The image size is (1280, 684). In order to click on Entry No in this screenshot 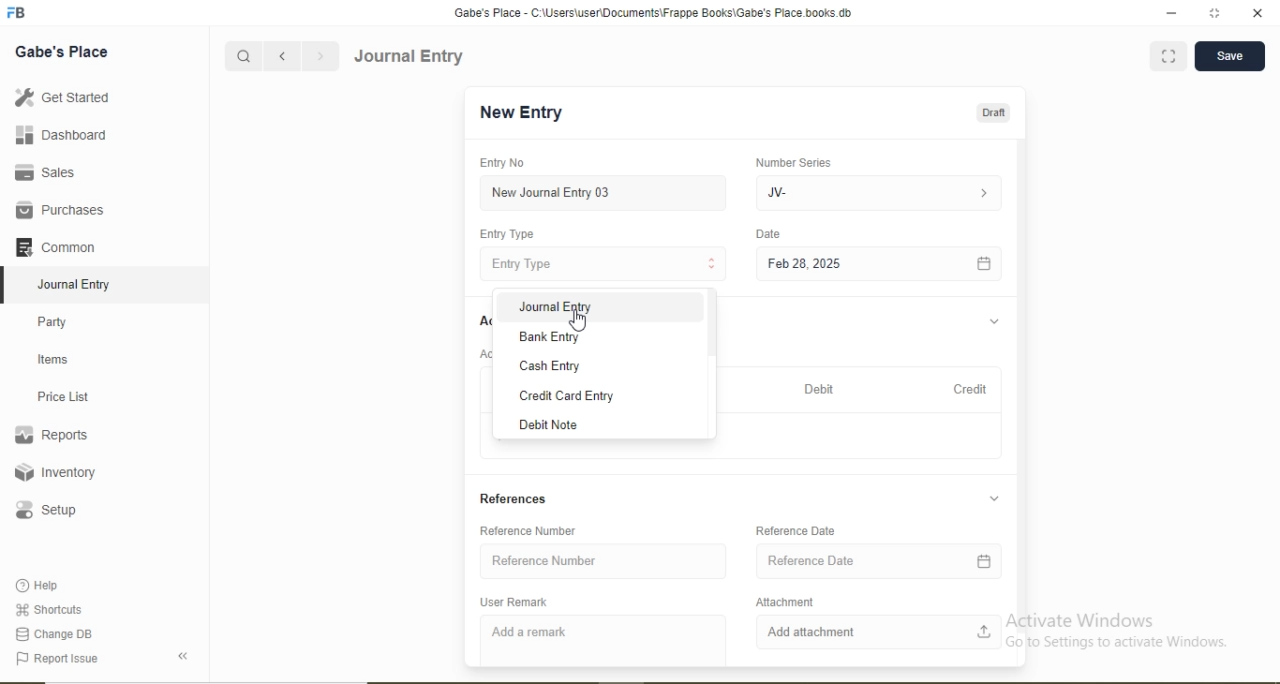, I will do `click(501, 162)`.